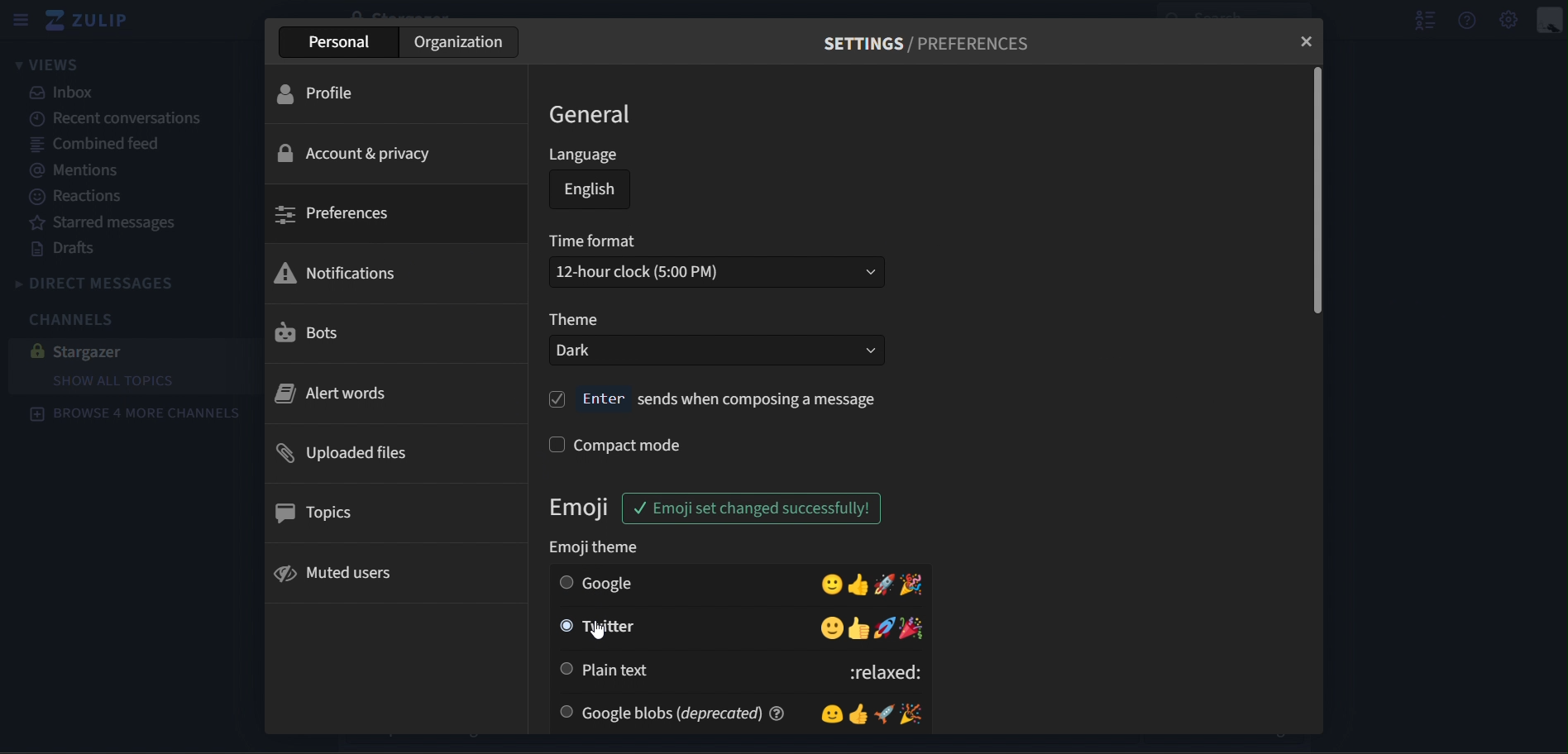 The width and height of the screenshot is (1568, 754). What do you see at coordinates (618, 443) in the screenshot?
I see `compact mode` at bounding box center [618, 443].